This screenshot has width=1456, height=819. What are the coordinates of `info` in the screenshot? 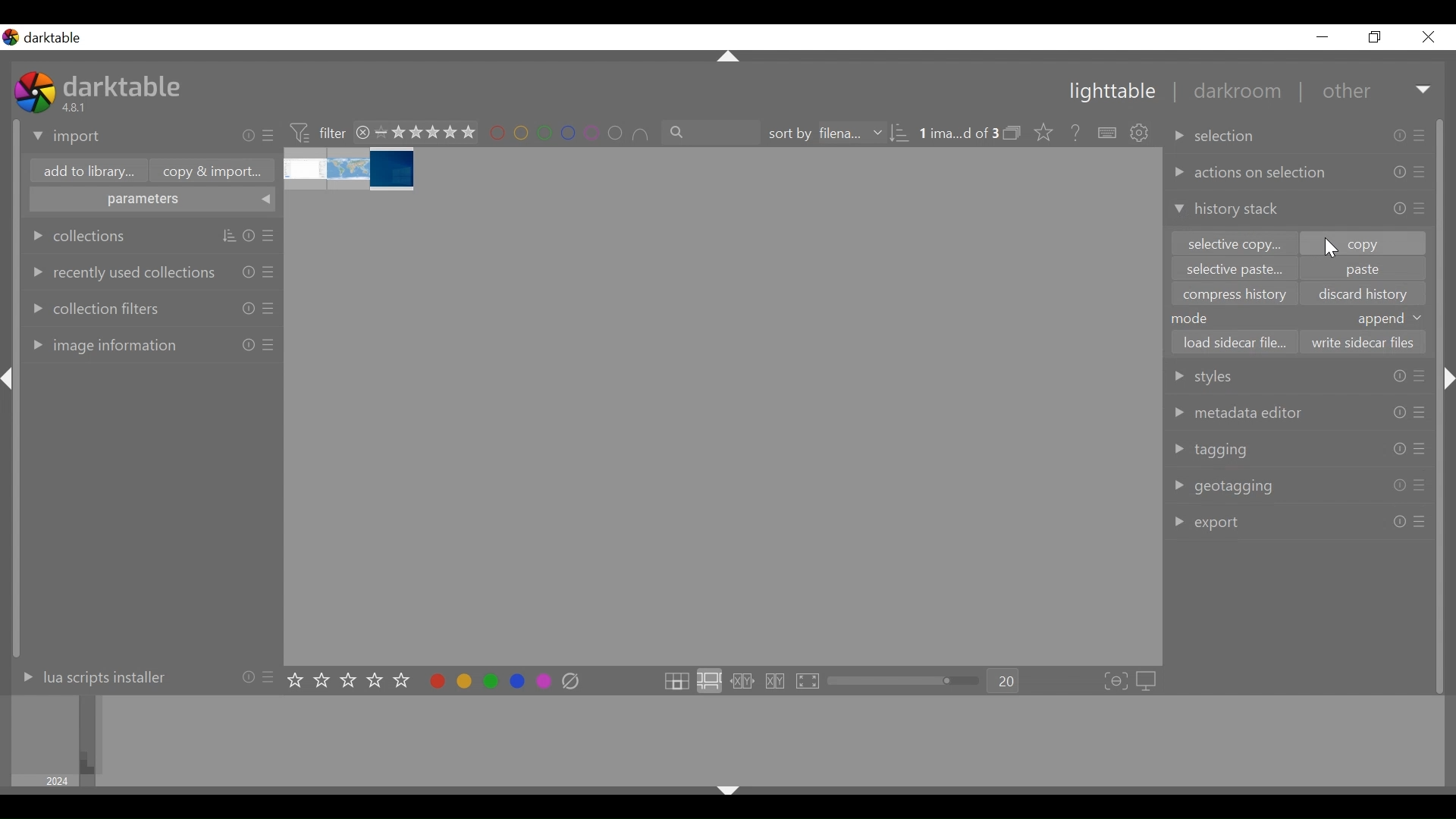 It's located at (1400, 173).